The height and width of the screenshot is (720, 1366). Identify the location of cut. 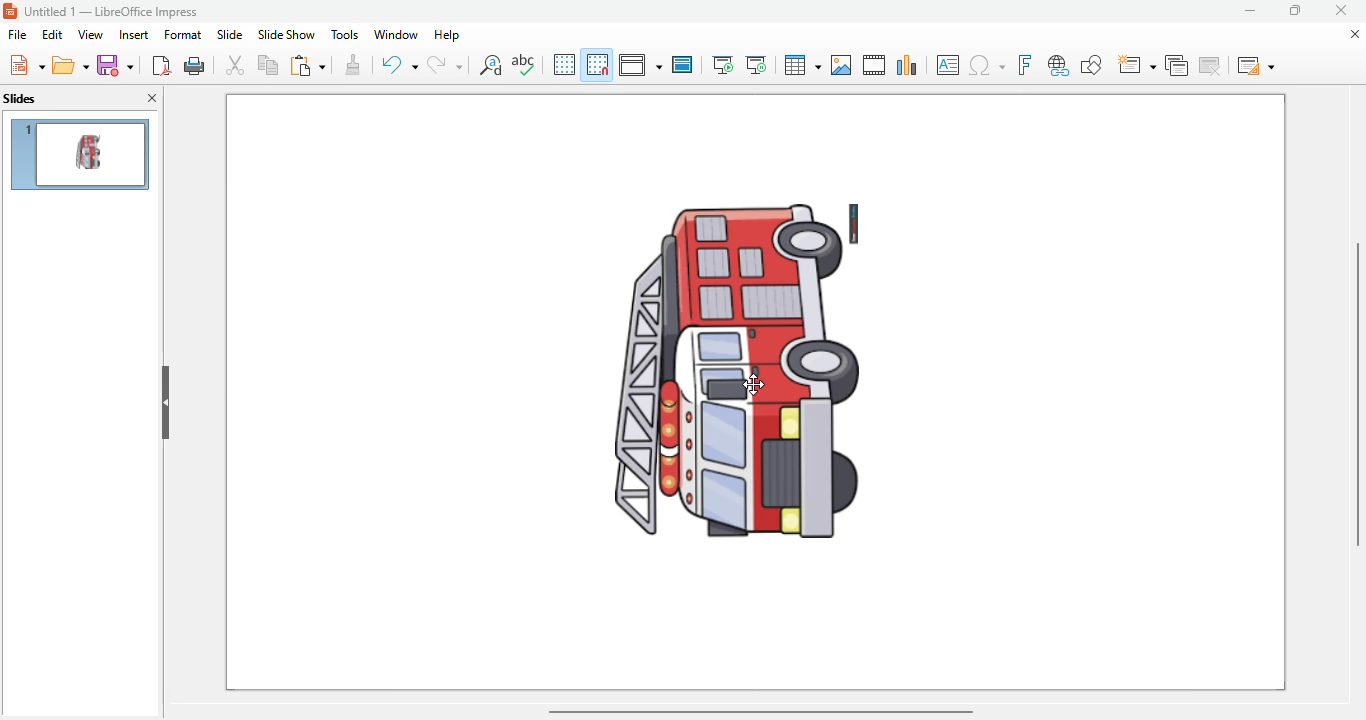
(235, 65).